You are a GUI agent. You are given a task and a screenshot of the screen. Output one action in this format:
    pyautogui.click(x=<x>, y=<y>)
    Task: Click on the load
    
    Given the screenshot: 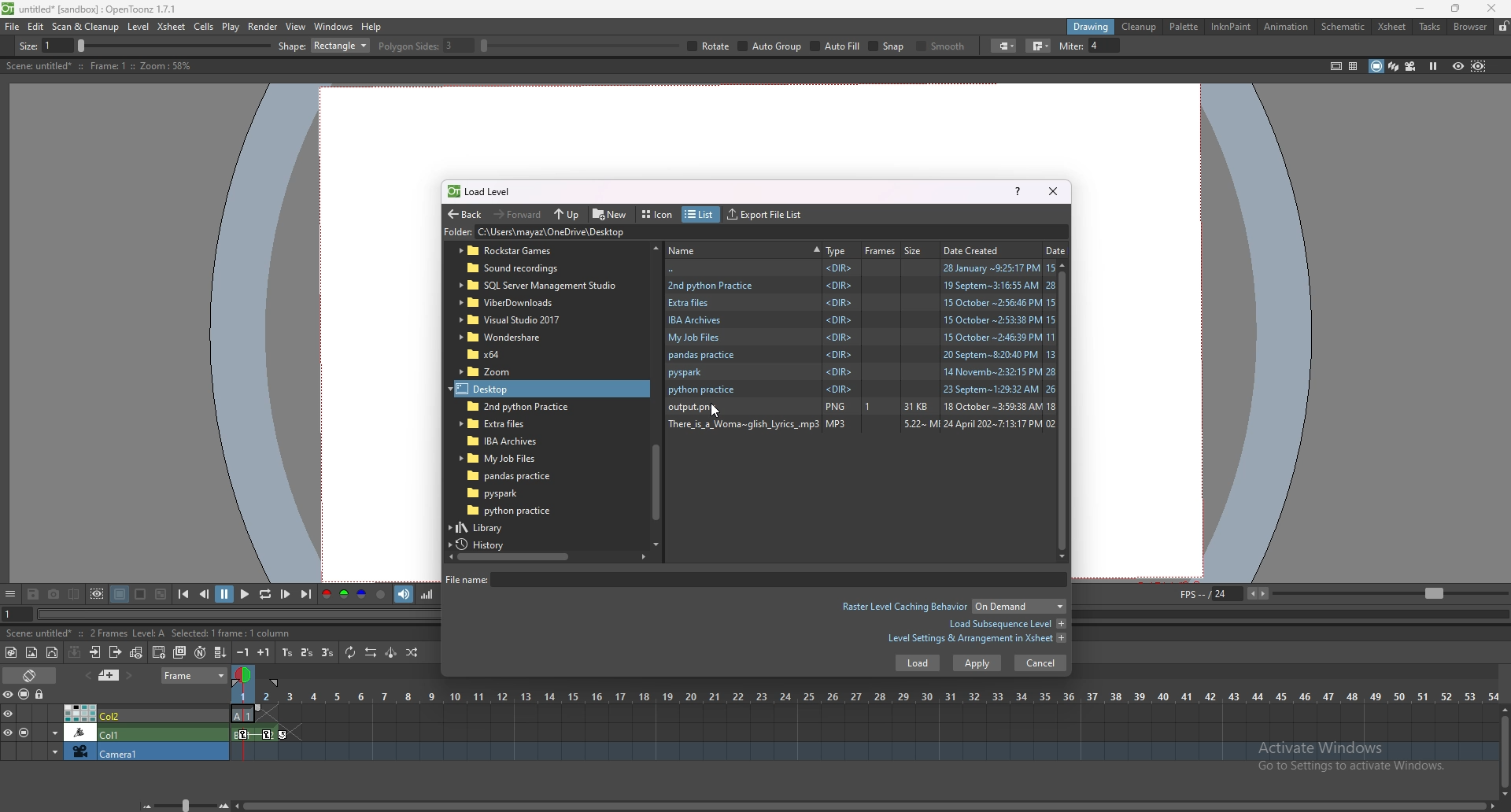 What is the action you would take?
    pyautogui.click(x=917, y=663)
    